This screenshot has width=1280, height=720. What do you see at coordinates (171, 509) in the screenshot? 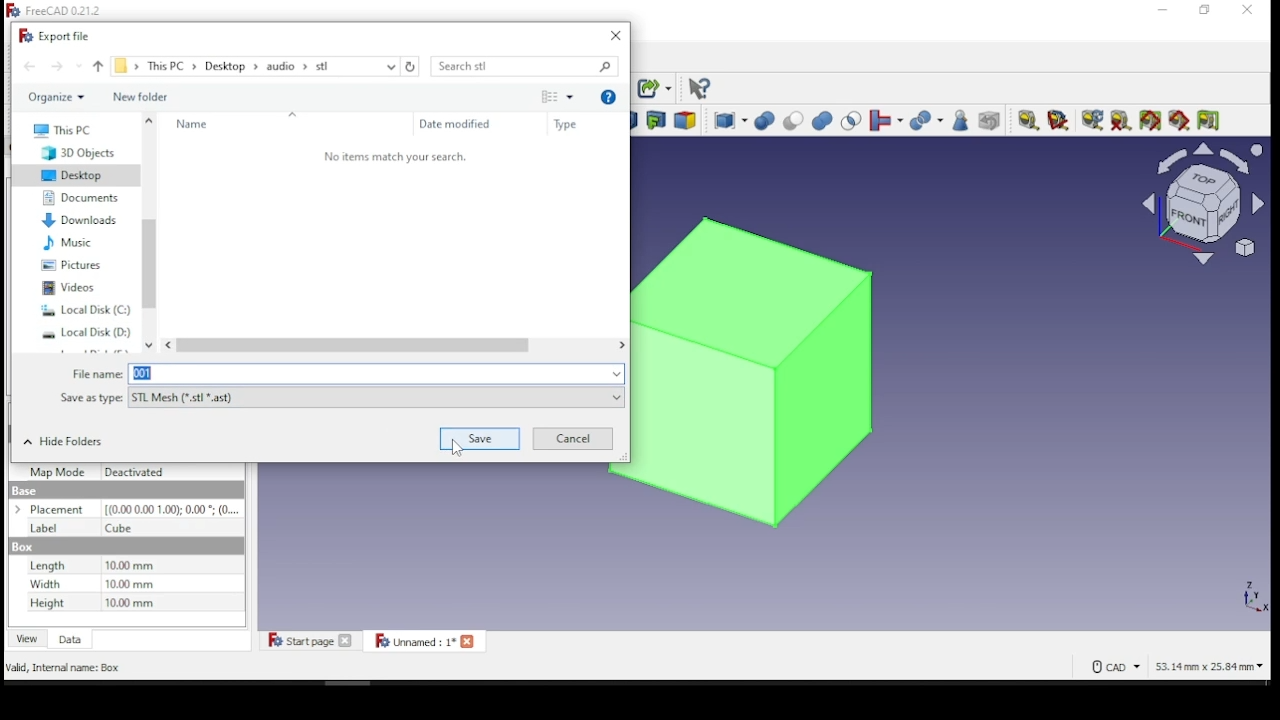
I see `0,000,00` at bounding box center [171, 509].